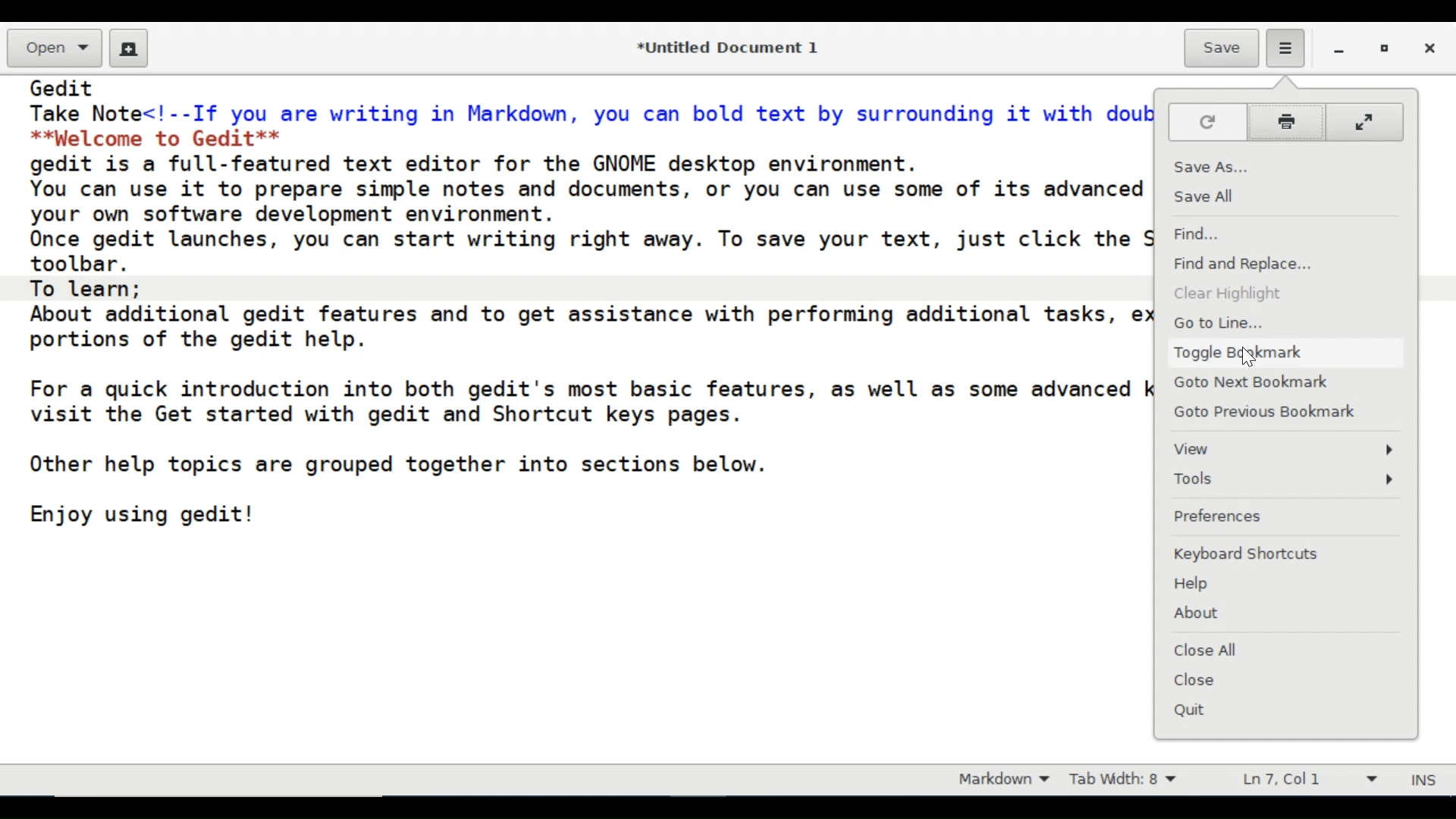 This screenshot has height=819, width=1456. I want to click on Goto Previous Bookmark, so click(1278, 413).